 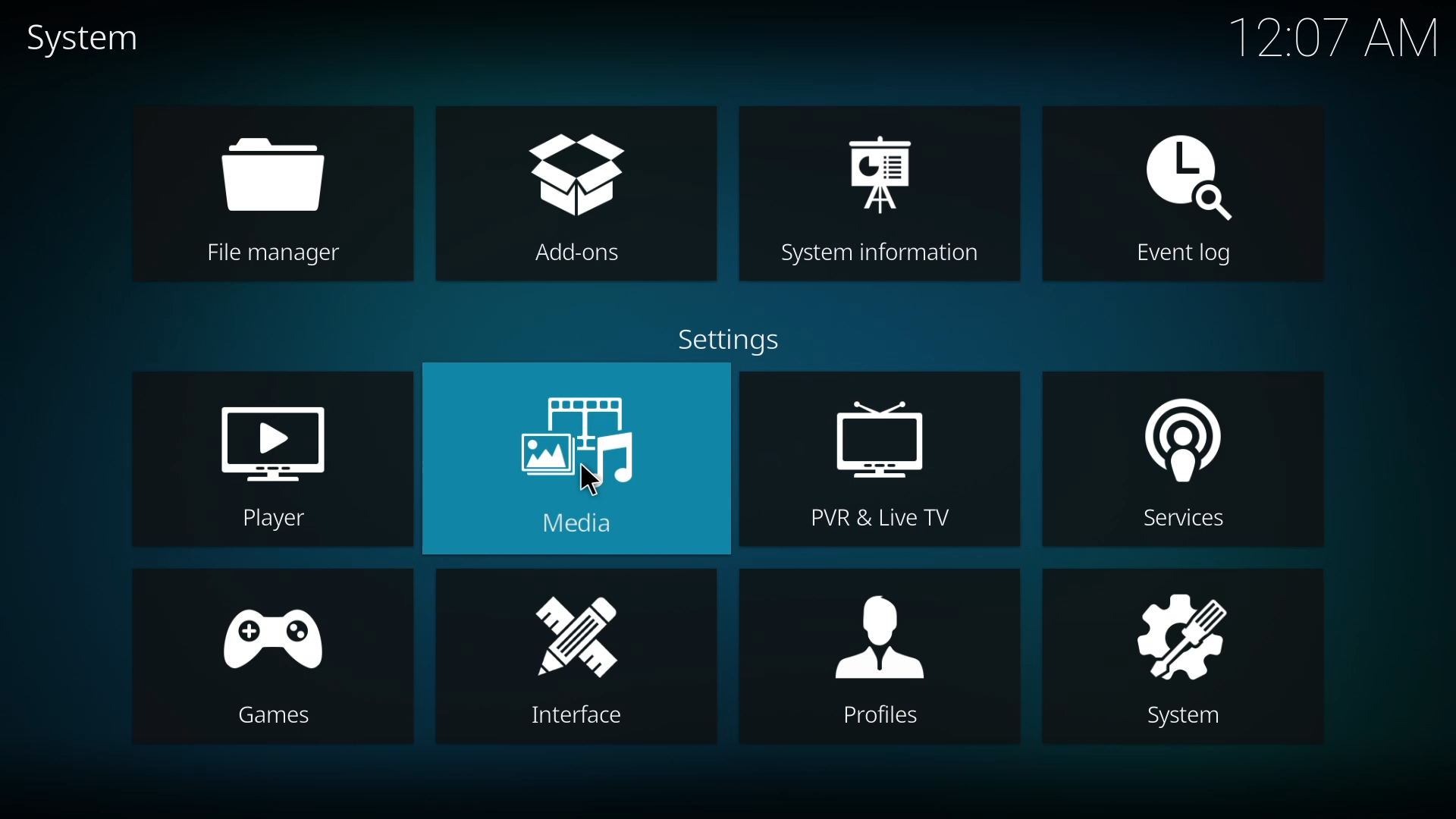 What do you see at coordinates (576, 657) in the screenshot?
I see `interface` at bounding box center [576, 657].